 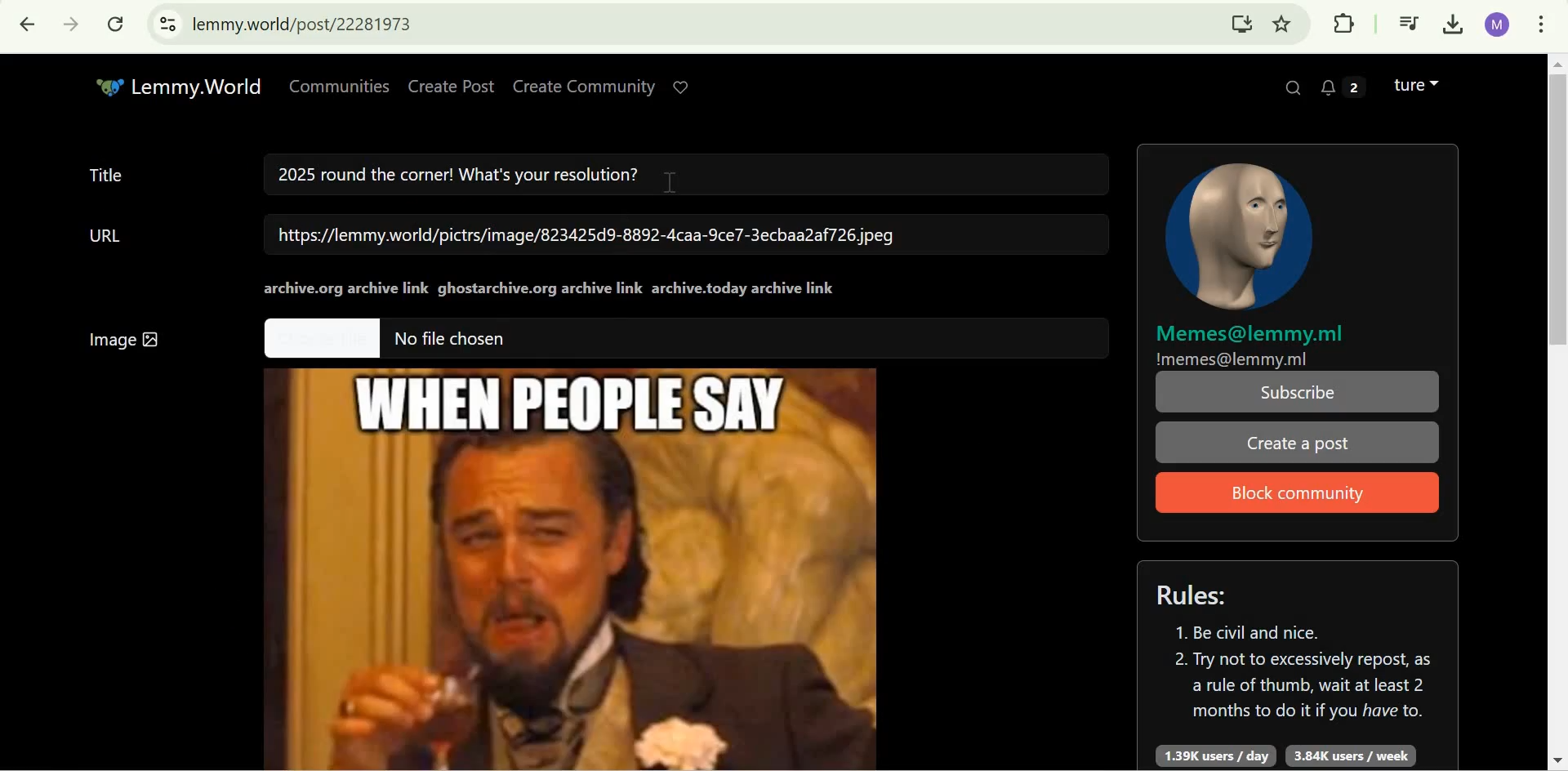 What do you see at coordinates (1294, 86) in the screenshot?
I see `Search` at bounding box center [1294, 86].